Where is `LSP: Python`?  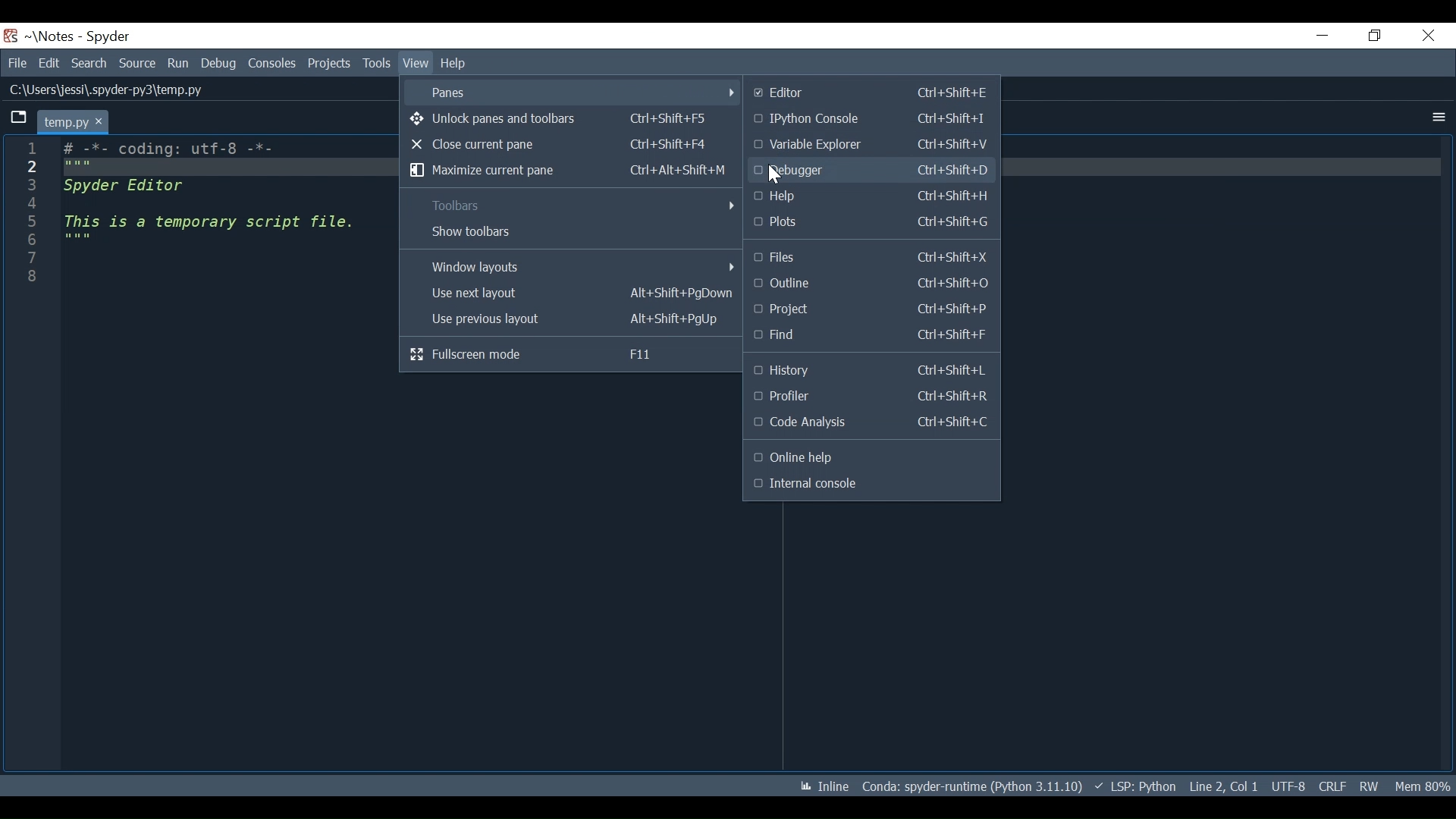 LSP: Python is located at coordinates (1134, 786).